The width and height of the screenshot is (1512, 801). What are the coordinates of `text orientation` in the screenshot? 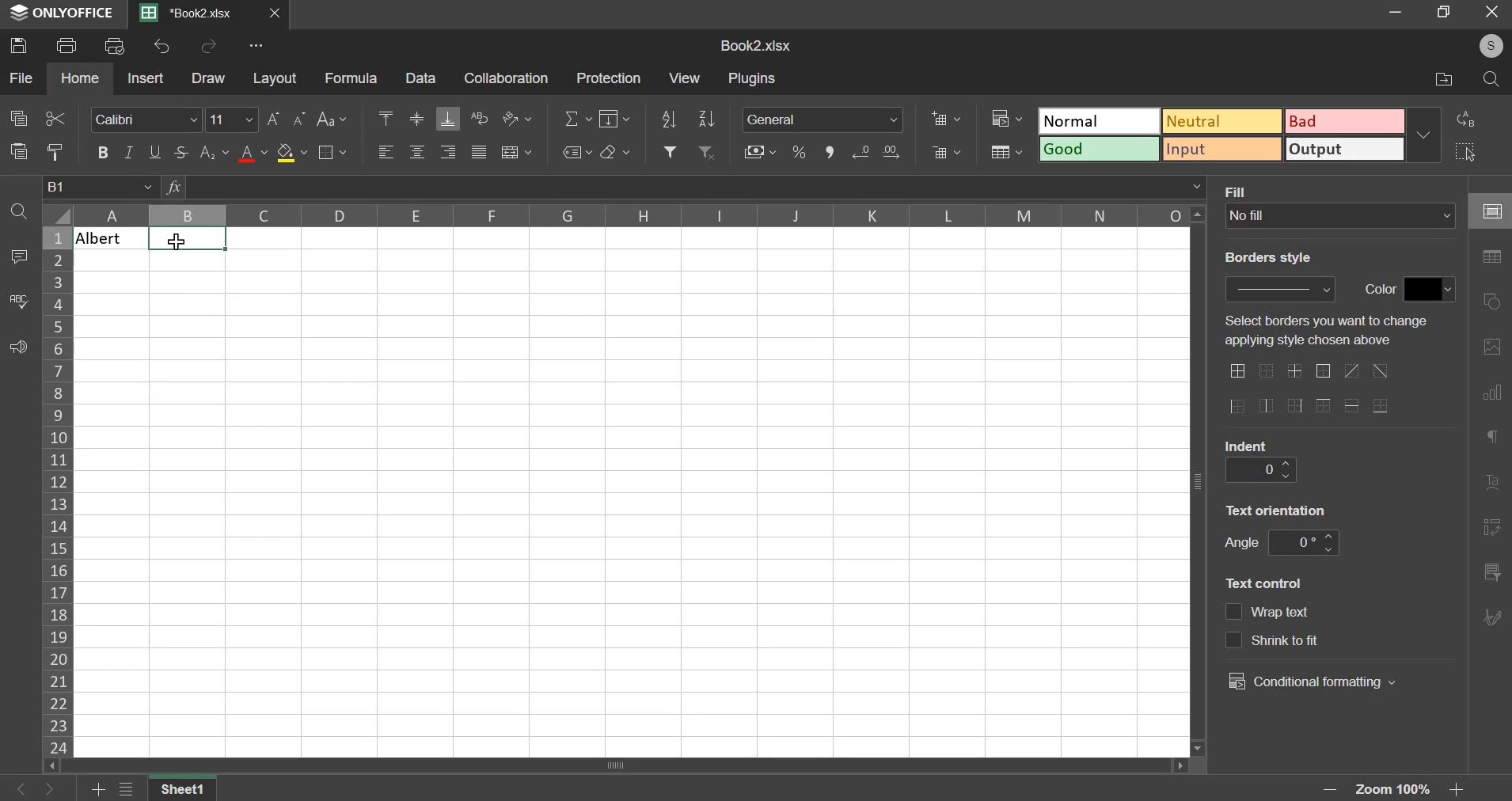 It's located at (1282, 512).